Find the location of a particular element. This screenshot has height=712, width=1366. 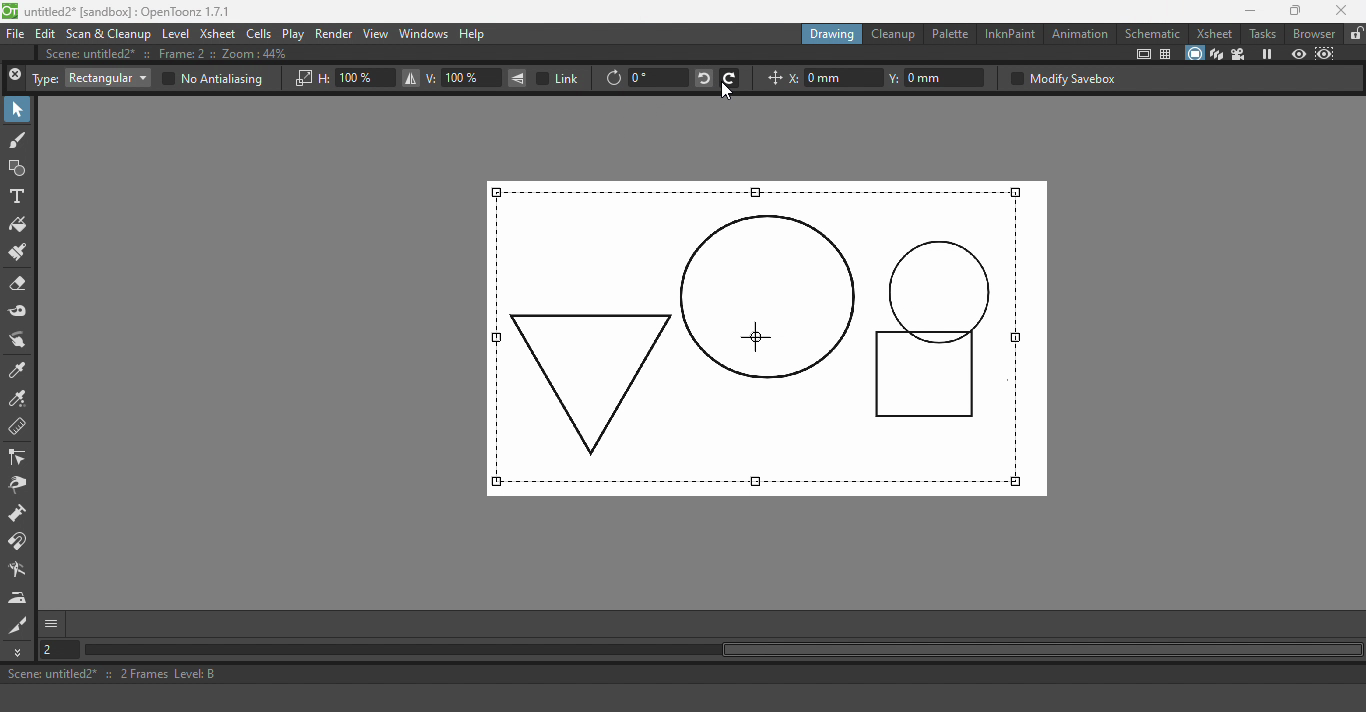

Selection tool is located at coordinates (18, 110).